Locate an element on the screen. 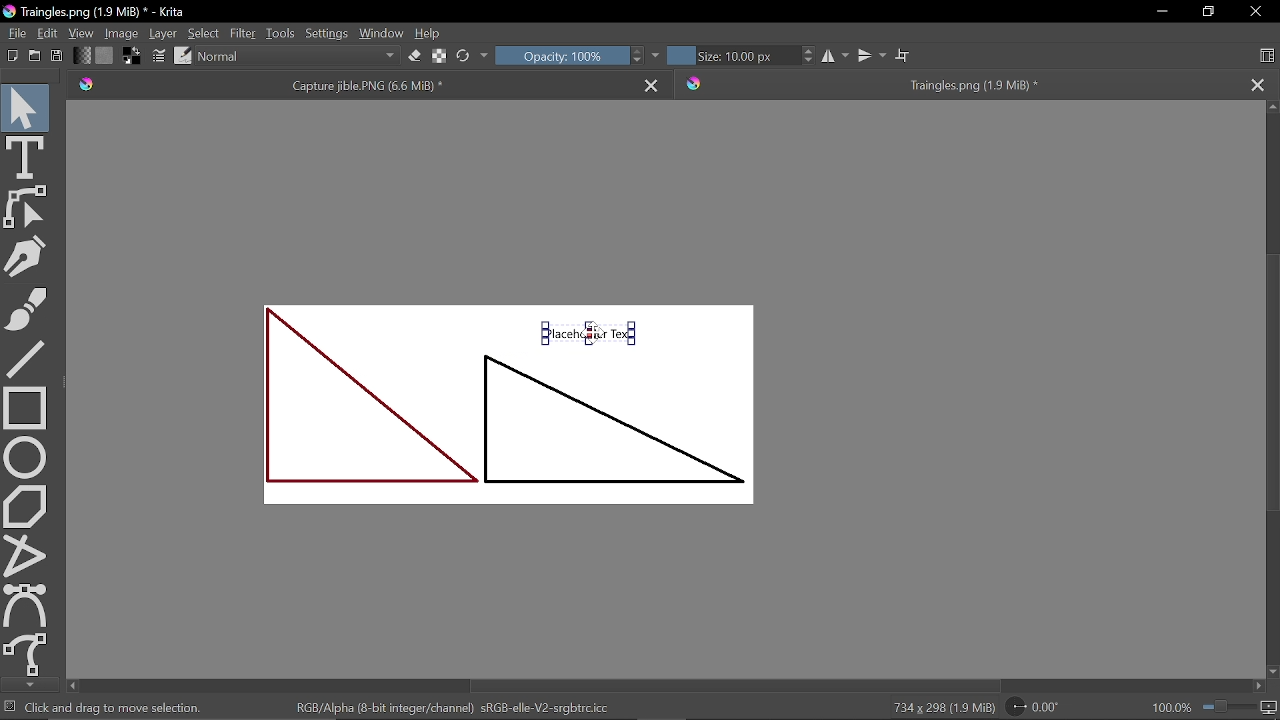 The width and height of the screenshot is (1280, 720). Polygon tool is located at coordinates (25, 507).